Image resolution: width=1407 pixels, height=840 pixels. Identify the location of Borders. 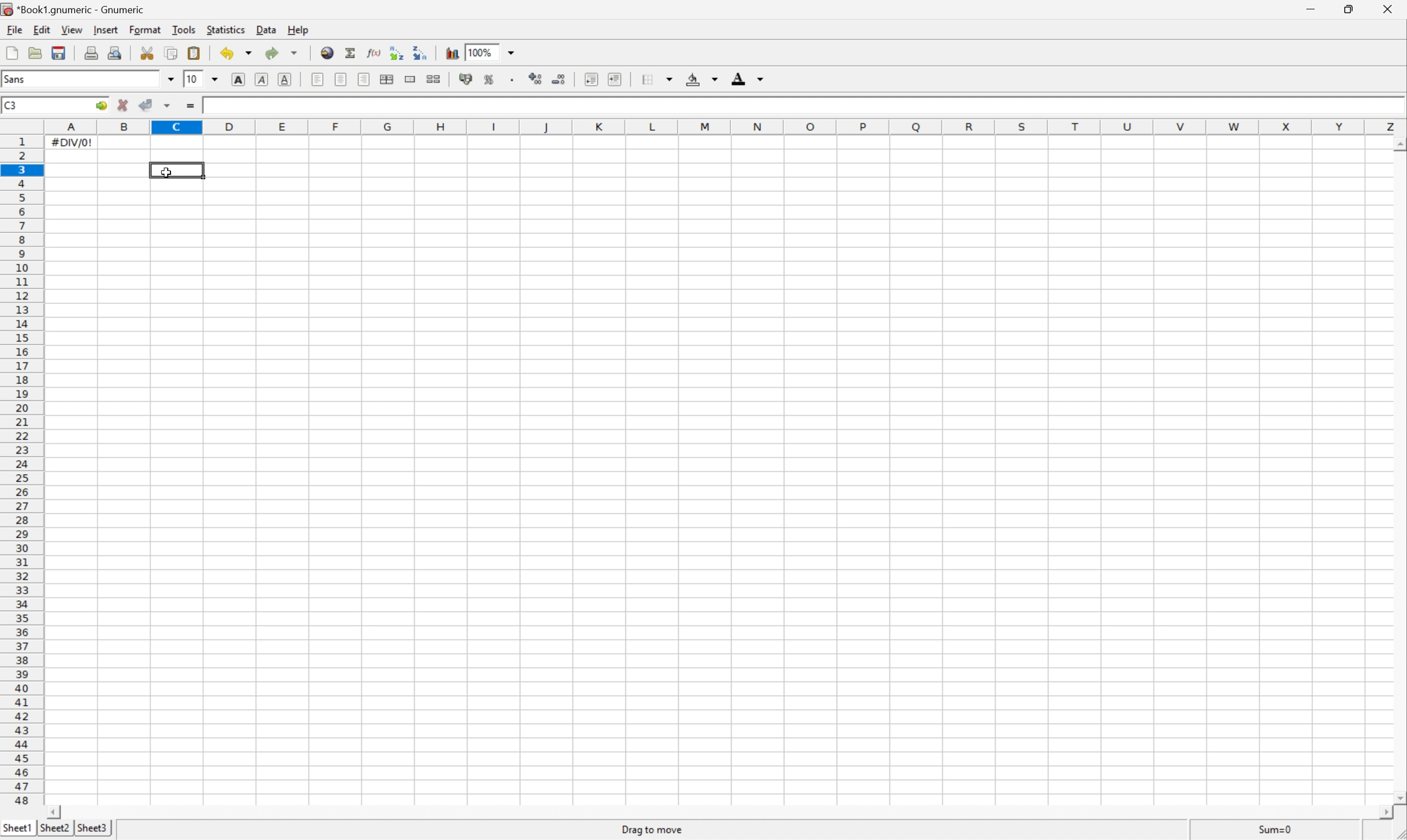
(648, 79).